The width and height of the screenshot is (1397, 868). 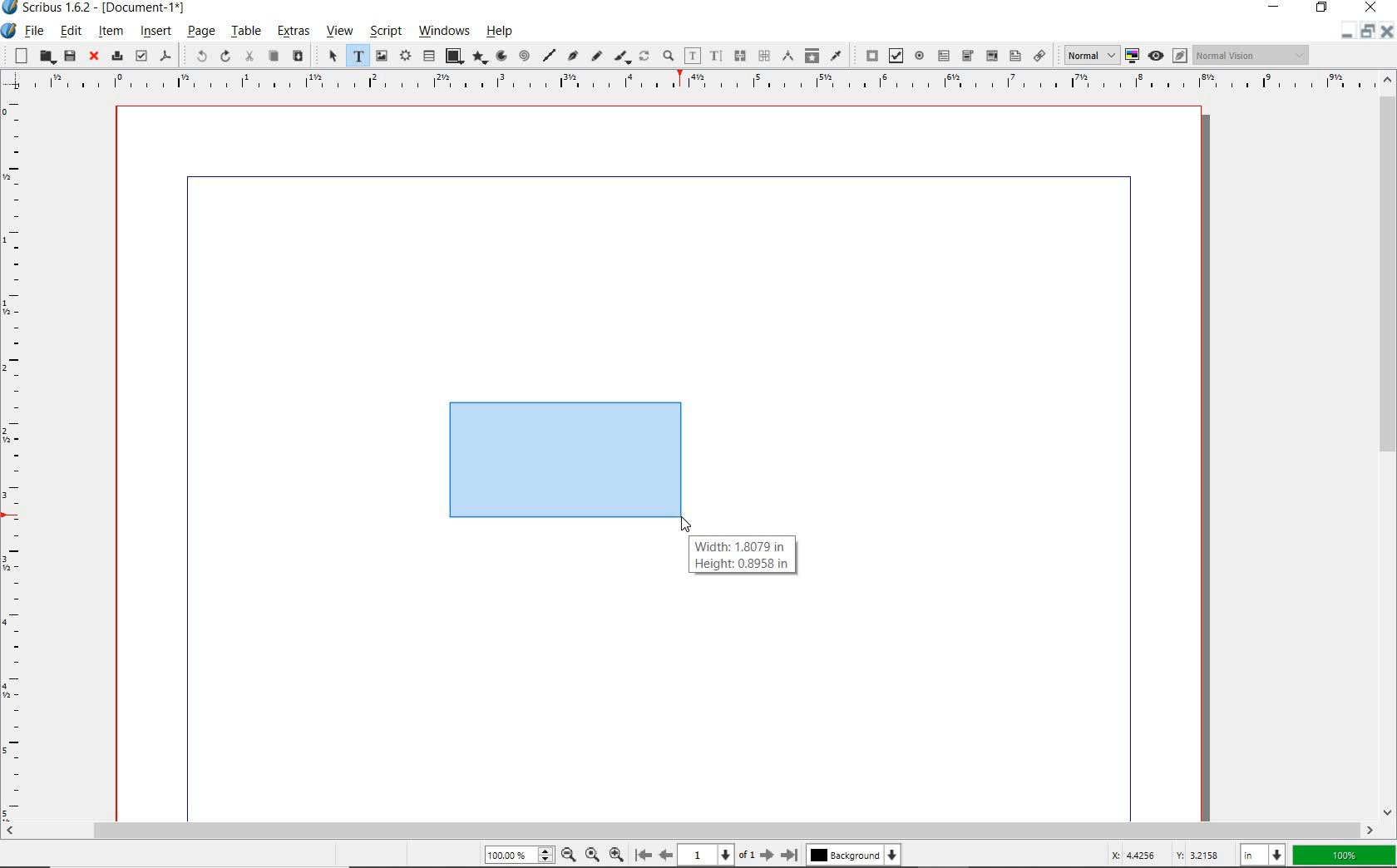 I want to click on unlink text frames, so click(x=764, y=57).